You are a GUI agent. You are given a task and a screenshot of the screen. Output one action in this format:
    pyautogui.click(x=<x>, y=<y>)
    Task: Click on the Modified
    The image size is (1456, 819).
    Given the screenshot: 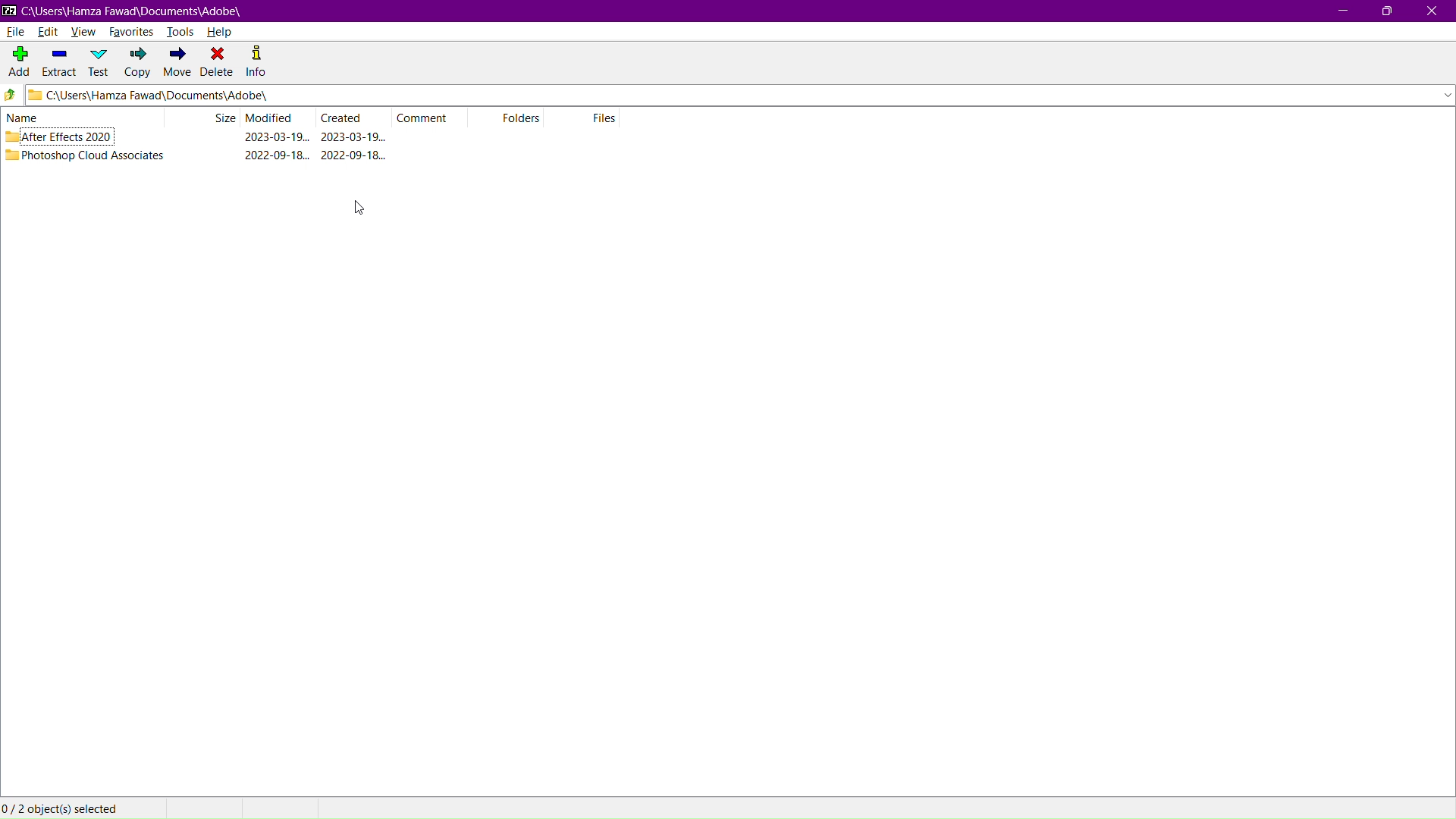 What is the action you would take?
    pyautogui.click(x=277, y=118)
    